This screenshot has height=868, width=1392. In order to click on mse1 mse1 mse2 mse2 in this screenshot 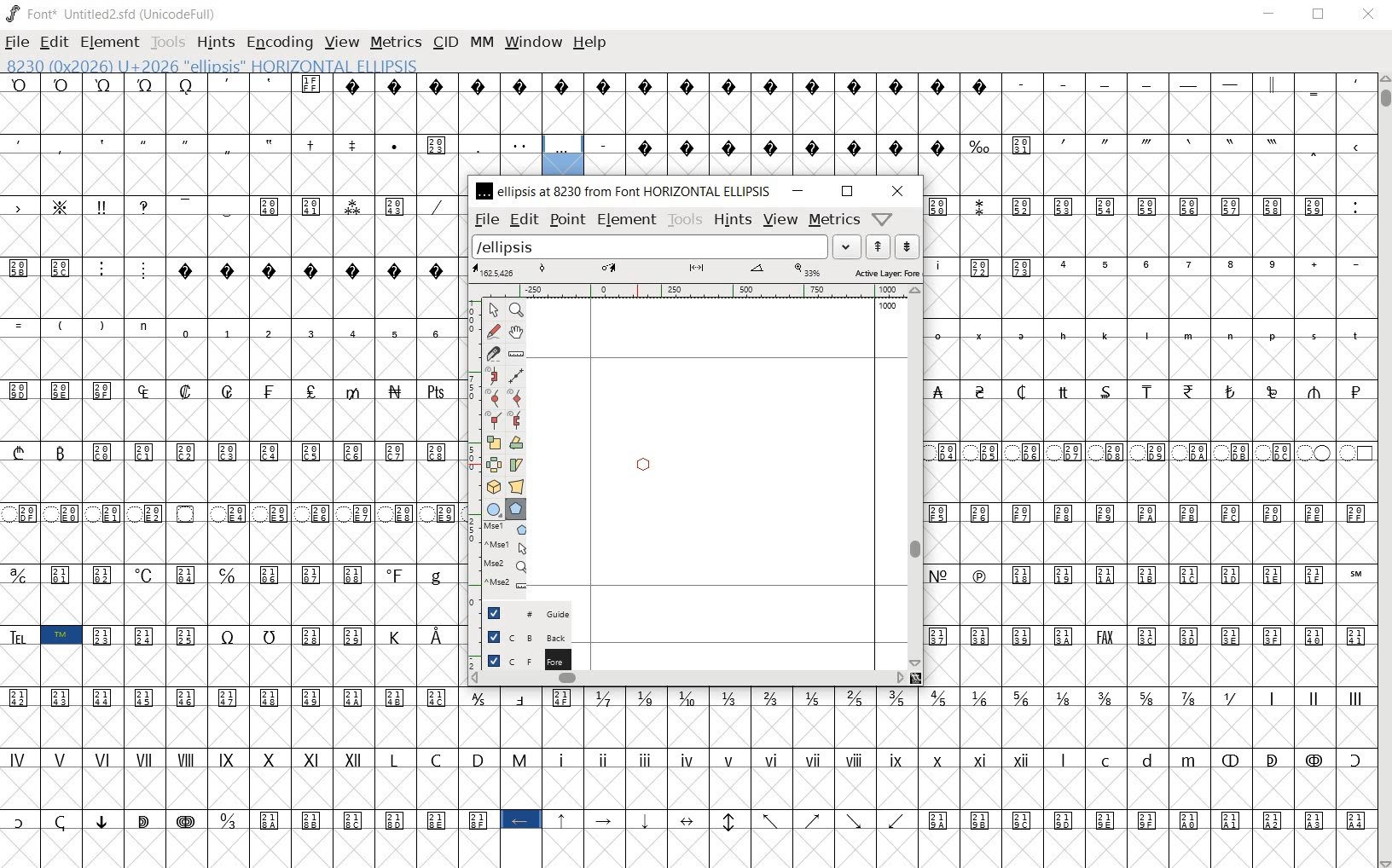, I will do `click(500, 557)`.